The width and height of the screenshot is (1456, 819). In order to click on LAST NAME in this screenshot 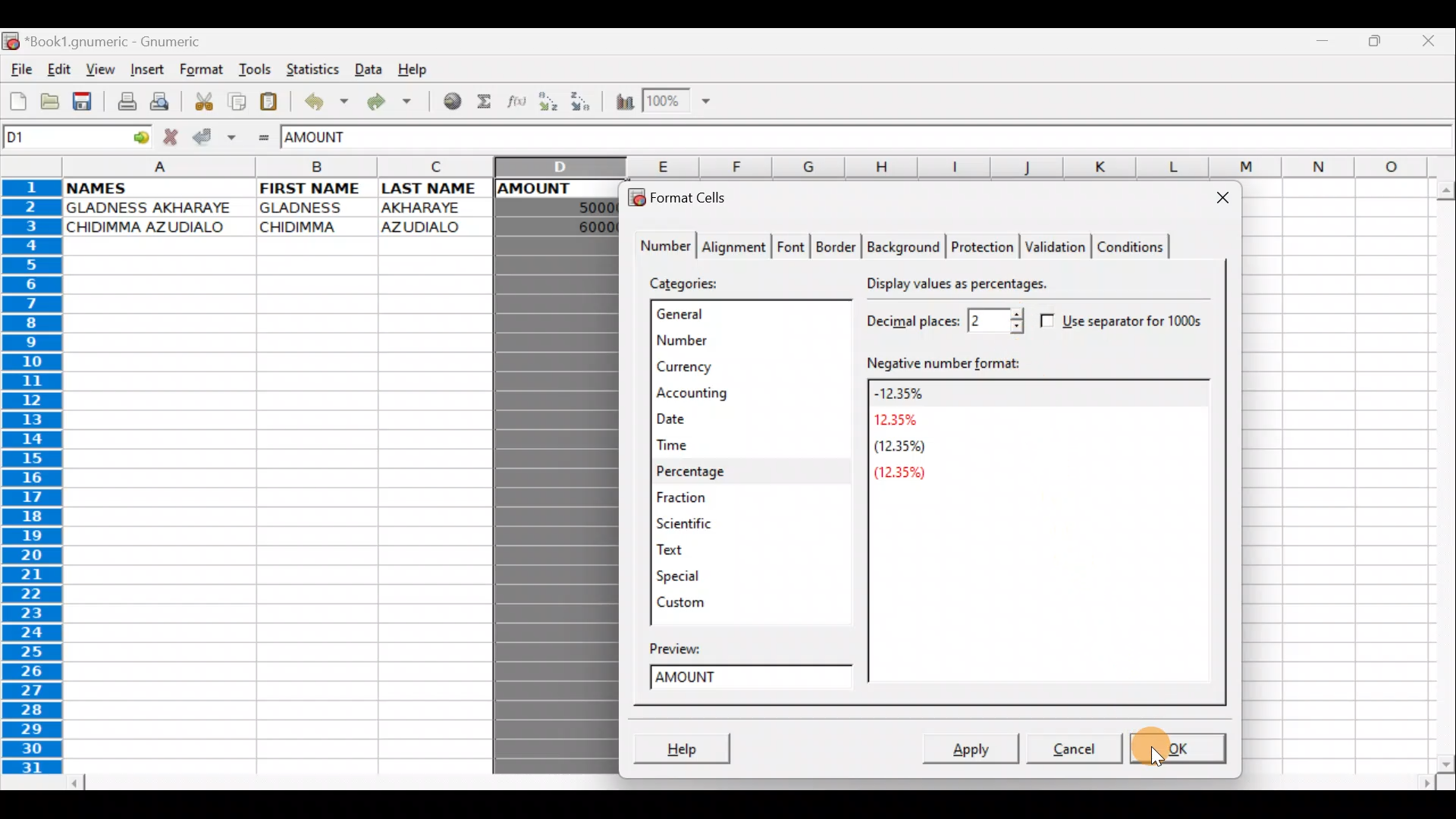, I will do `click(436, 190)`.